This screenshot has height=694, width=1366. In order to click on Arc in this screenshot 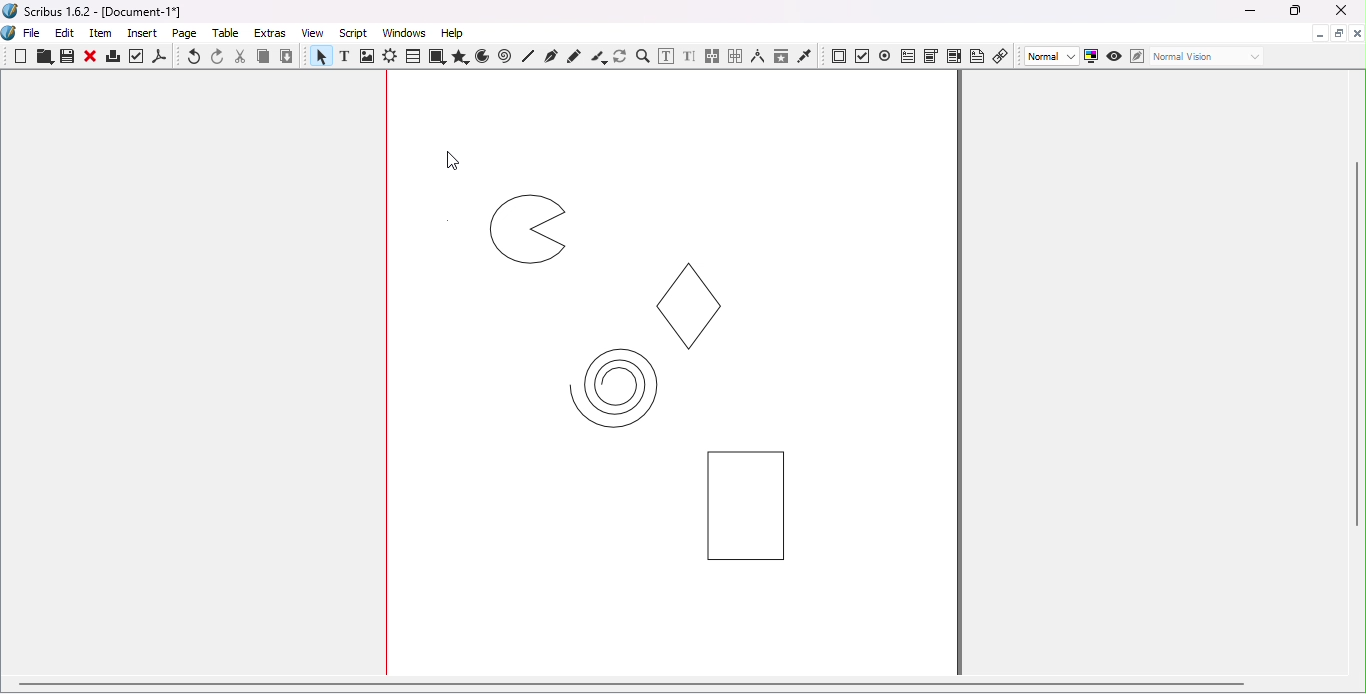, I will do `click(482, 58)`.